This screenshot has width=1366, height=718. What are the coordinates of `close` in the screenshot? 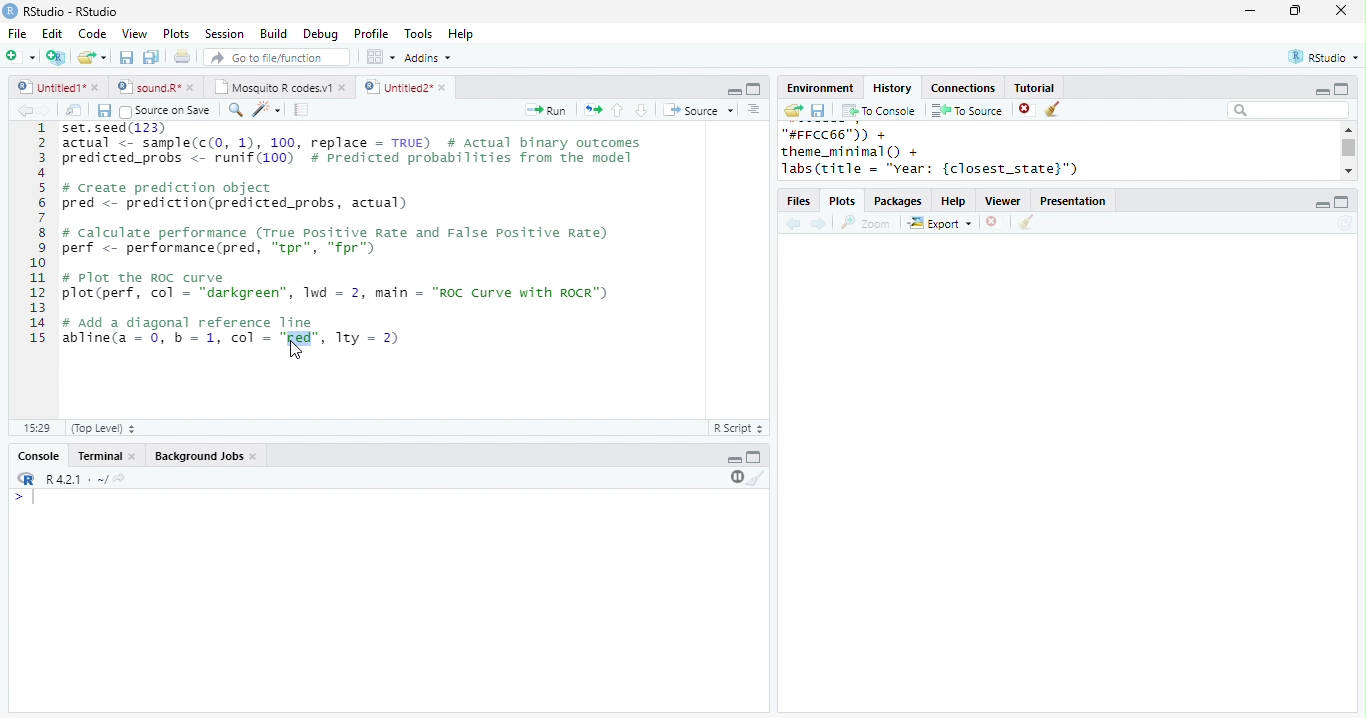 It's located at (194, 87).